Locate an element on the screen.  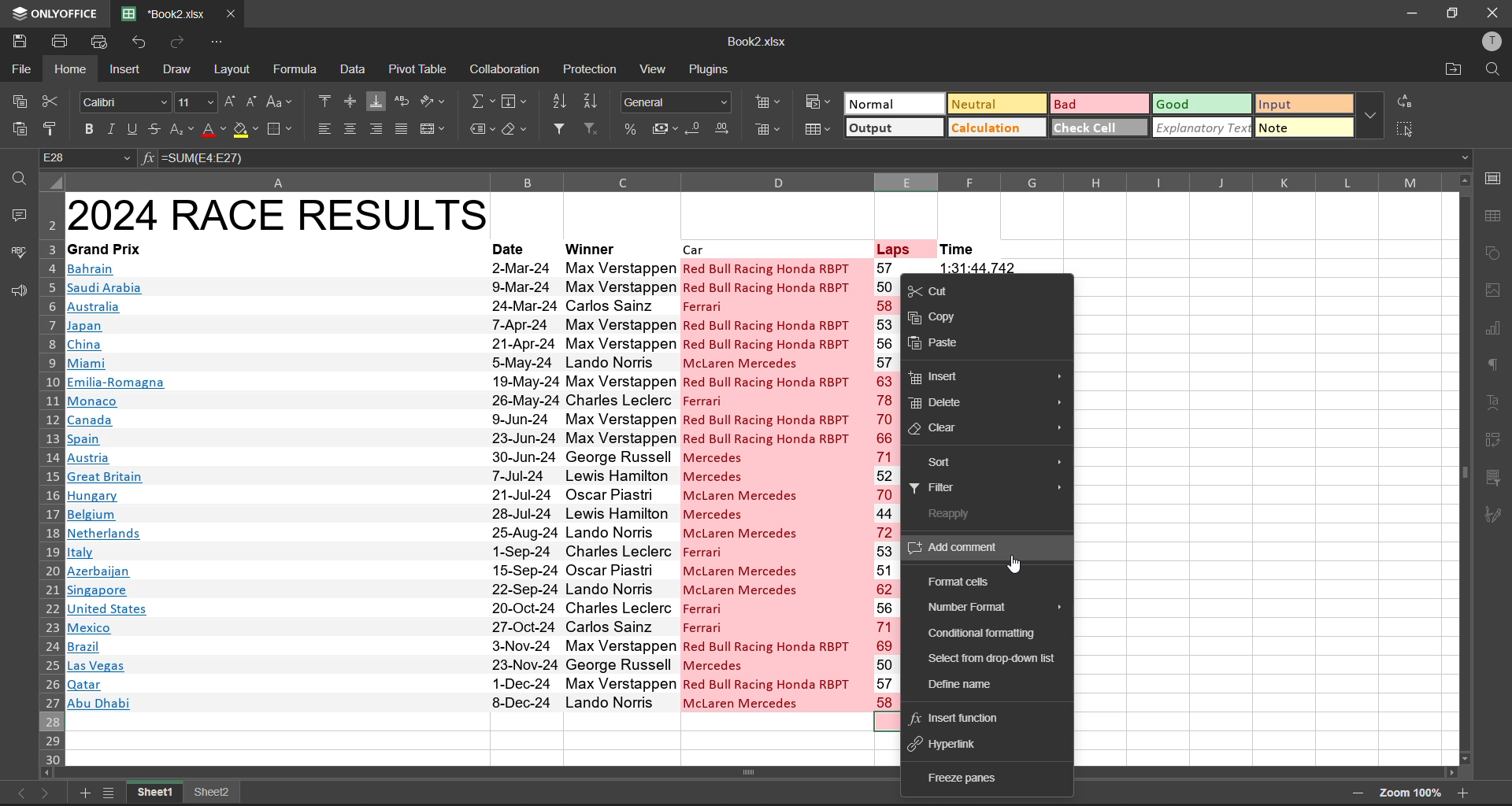
signature is located at coordinates (1494, 519).